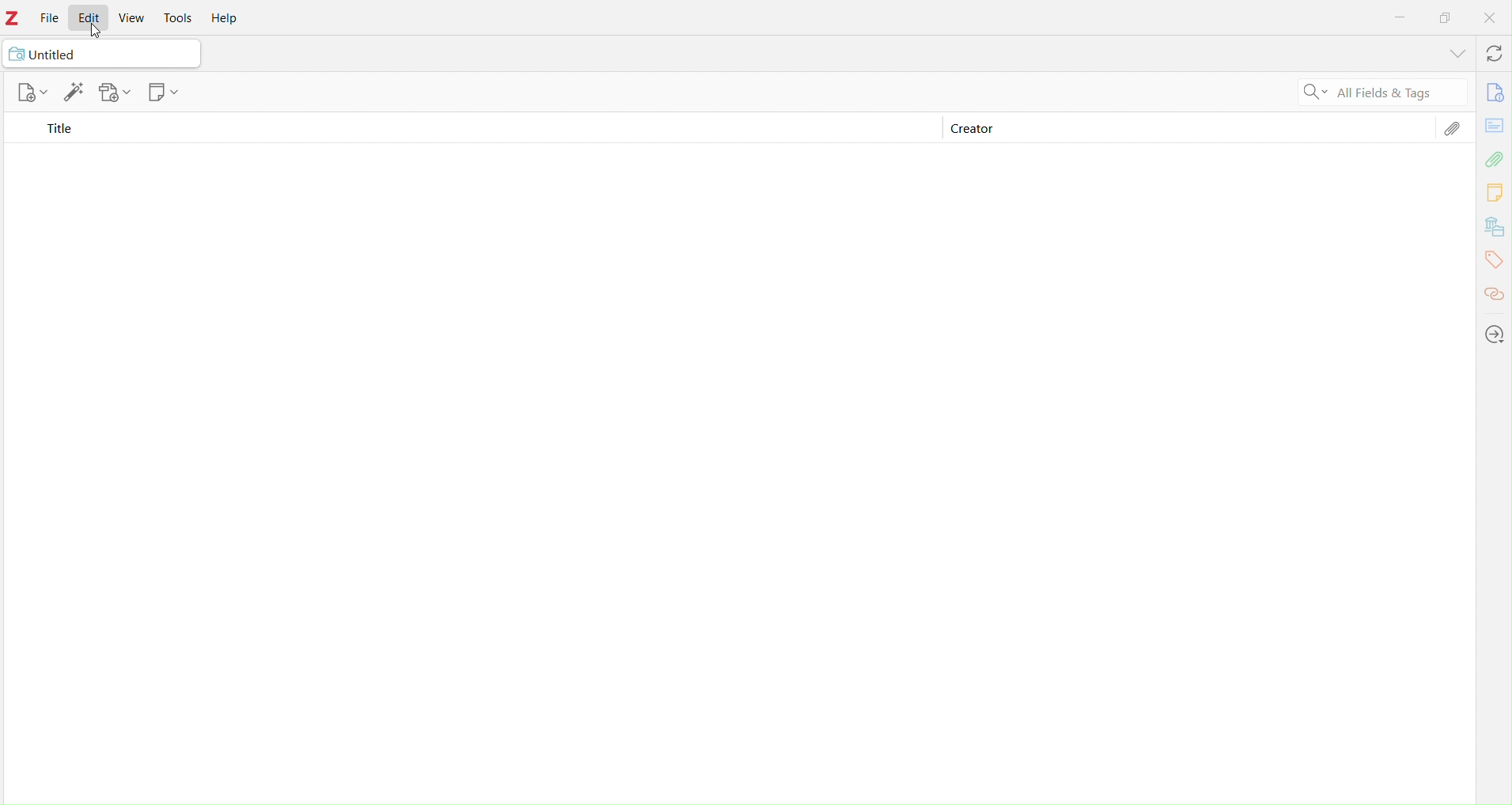 This screenshot has width=1512, height=805. I want to click on Attachment, so click(1496, 160).